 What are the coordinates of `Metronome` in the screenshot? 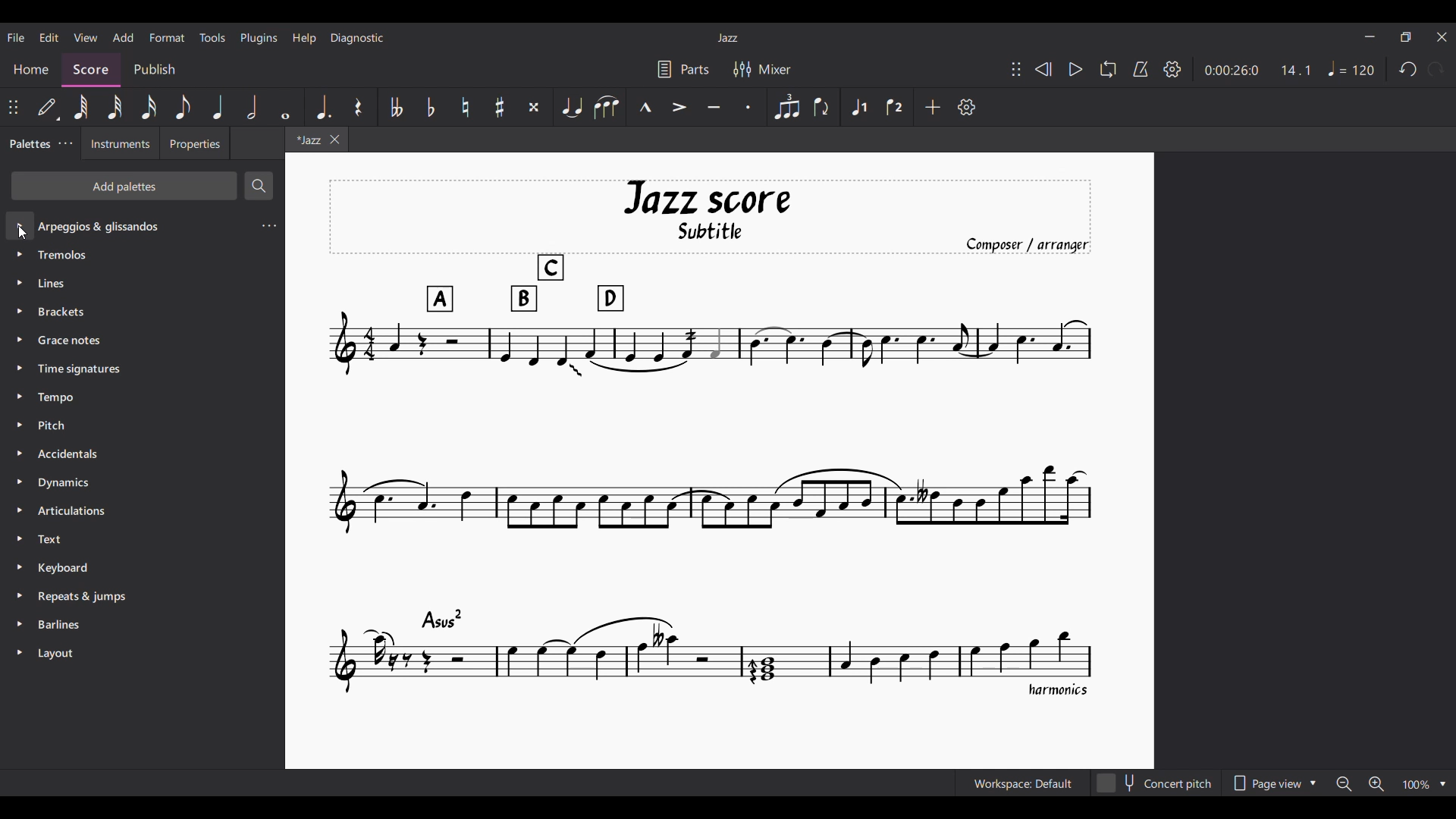 It's located at (1141, 69).